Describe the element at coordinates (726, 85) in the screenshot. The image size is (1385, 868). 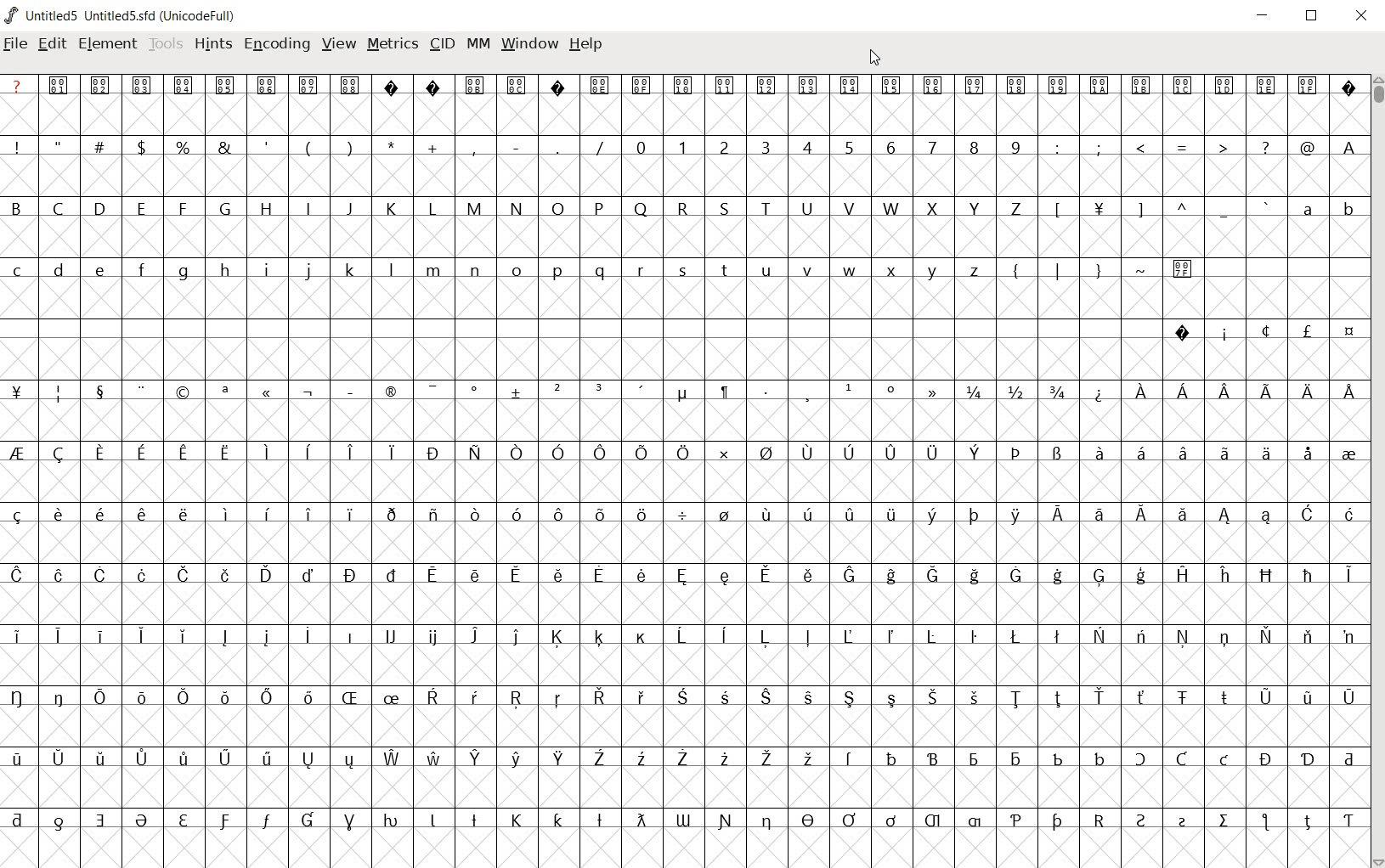
I see `Symbol` at that location.